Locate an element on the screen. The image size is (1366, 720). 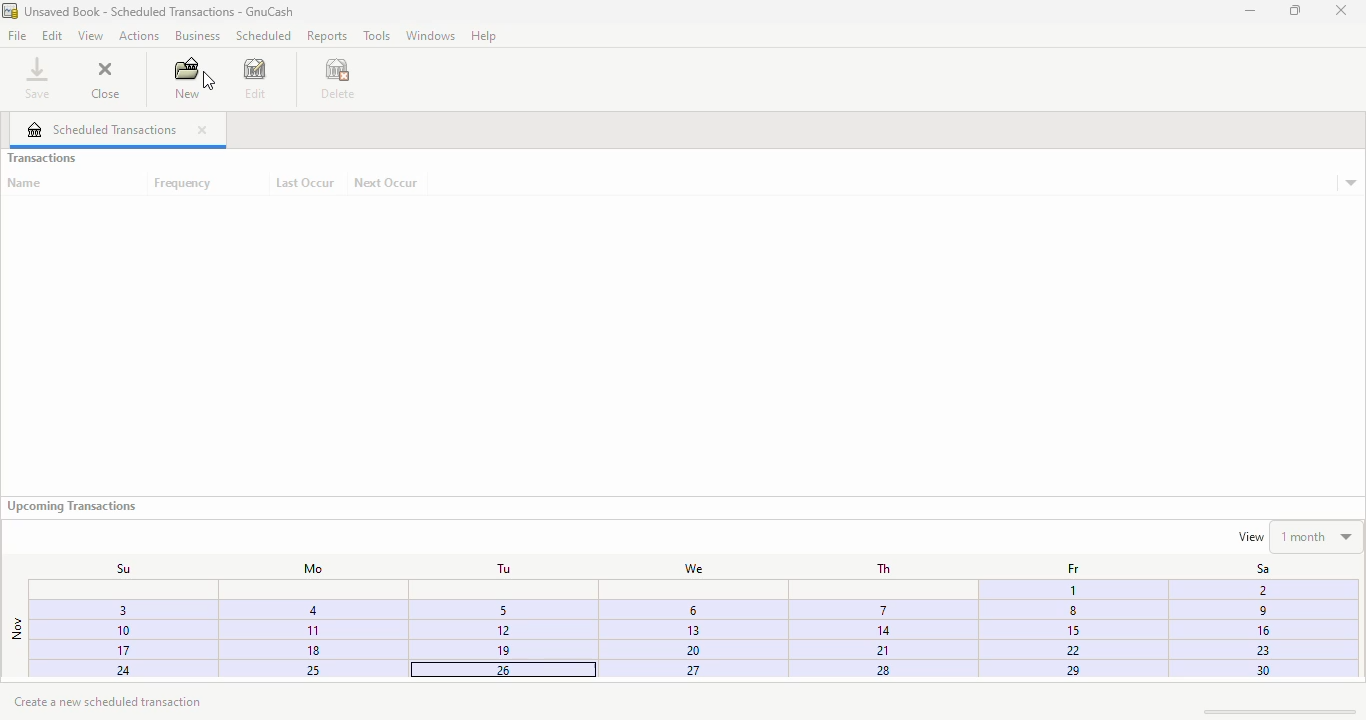
last occur is located at coordinates (305, 183).